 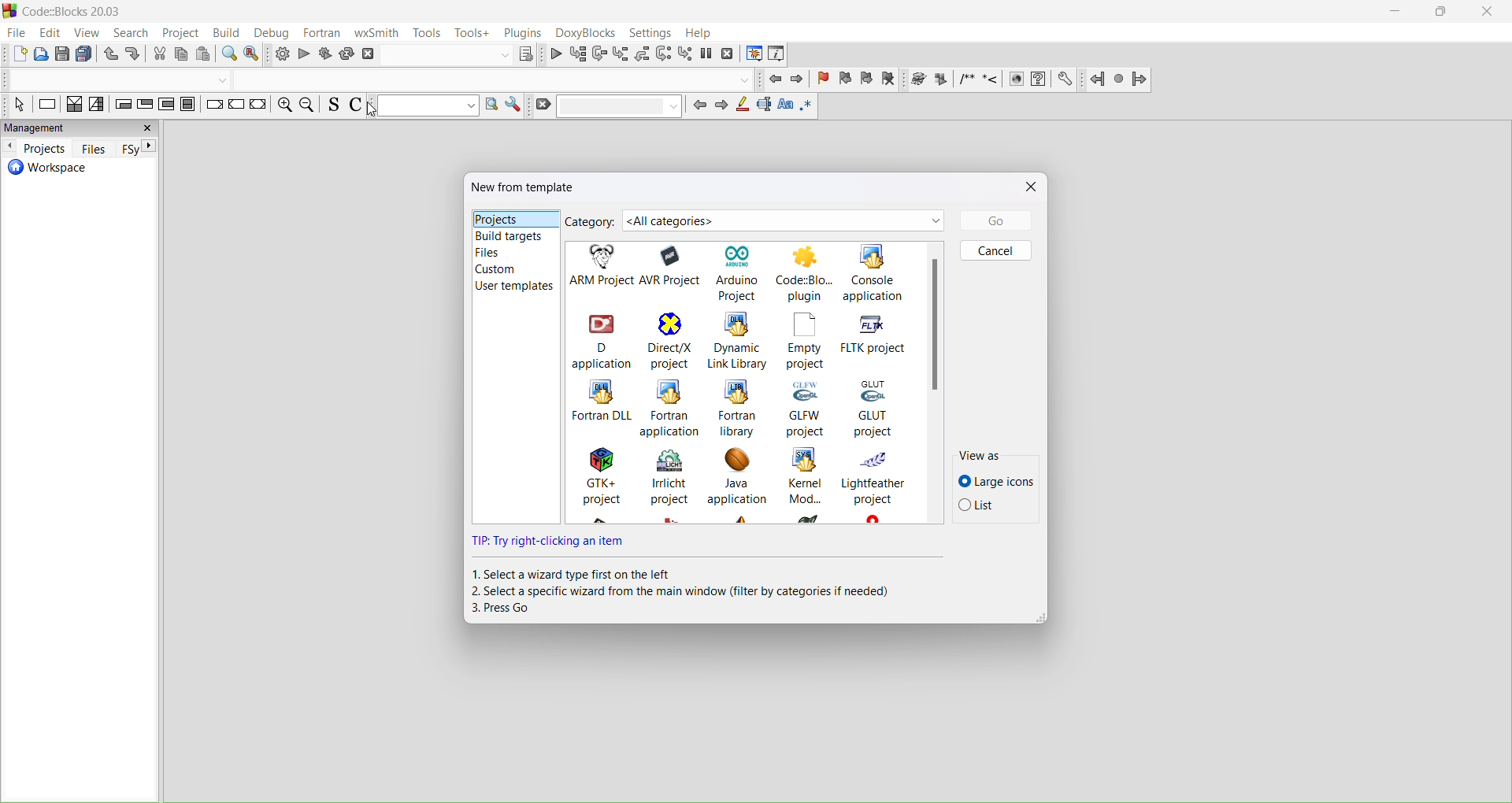 I want to click on add new, so click(x=15, y=54).